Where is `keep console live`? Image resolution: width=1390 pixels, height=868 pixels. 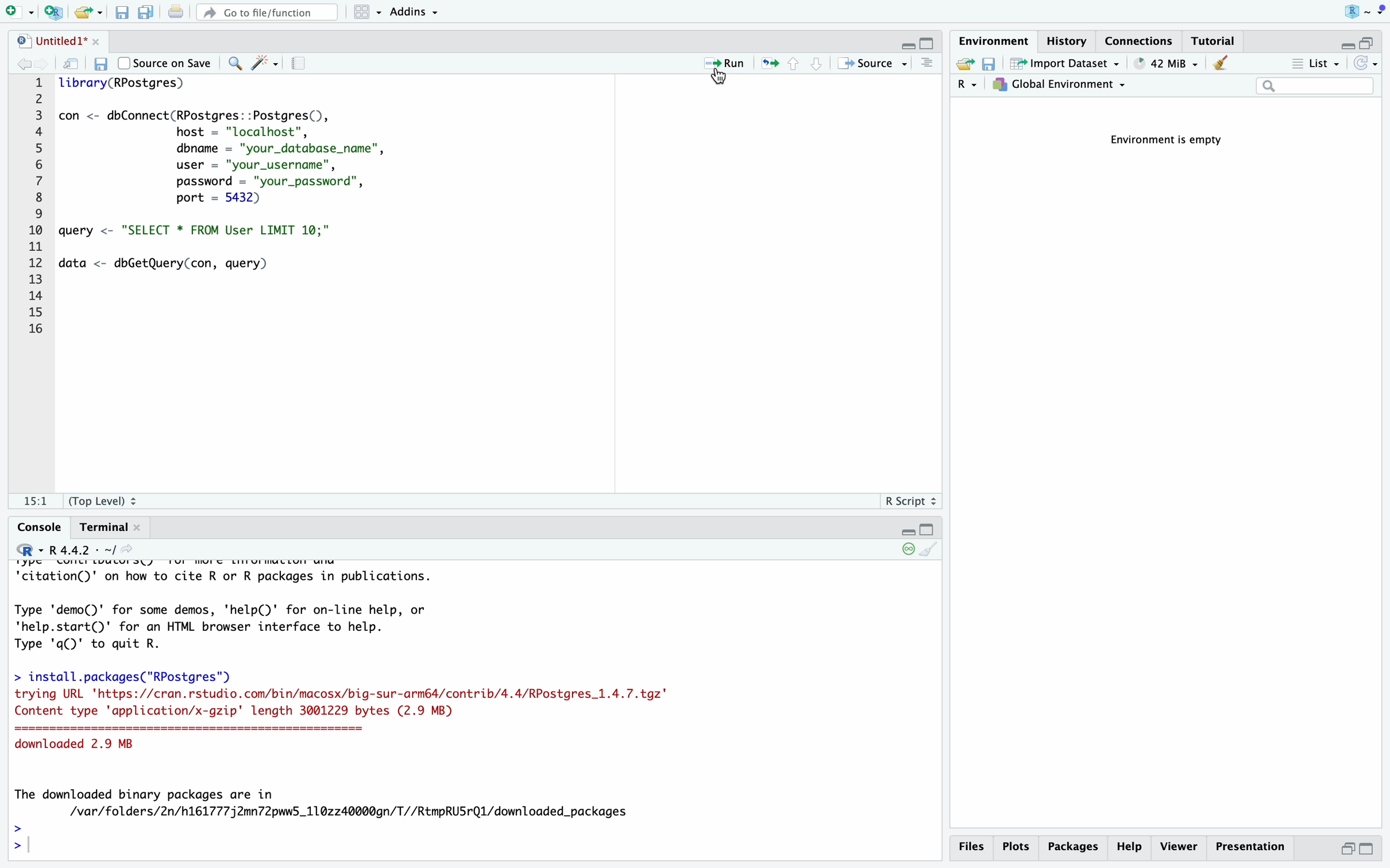 keep console live is located at coordinates (903, 551).